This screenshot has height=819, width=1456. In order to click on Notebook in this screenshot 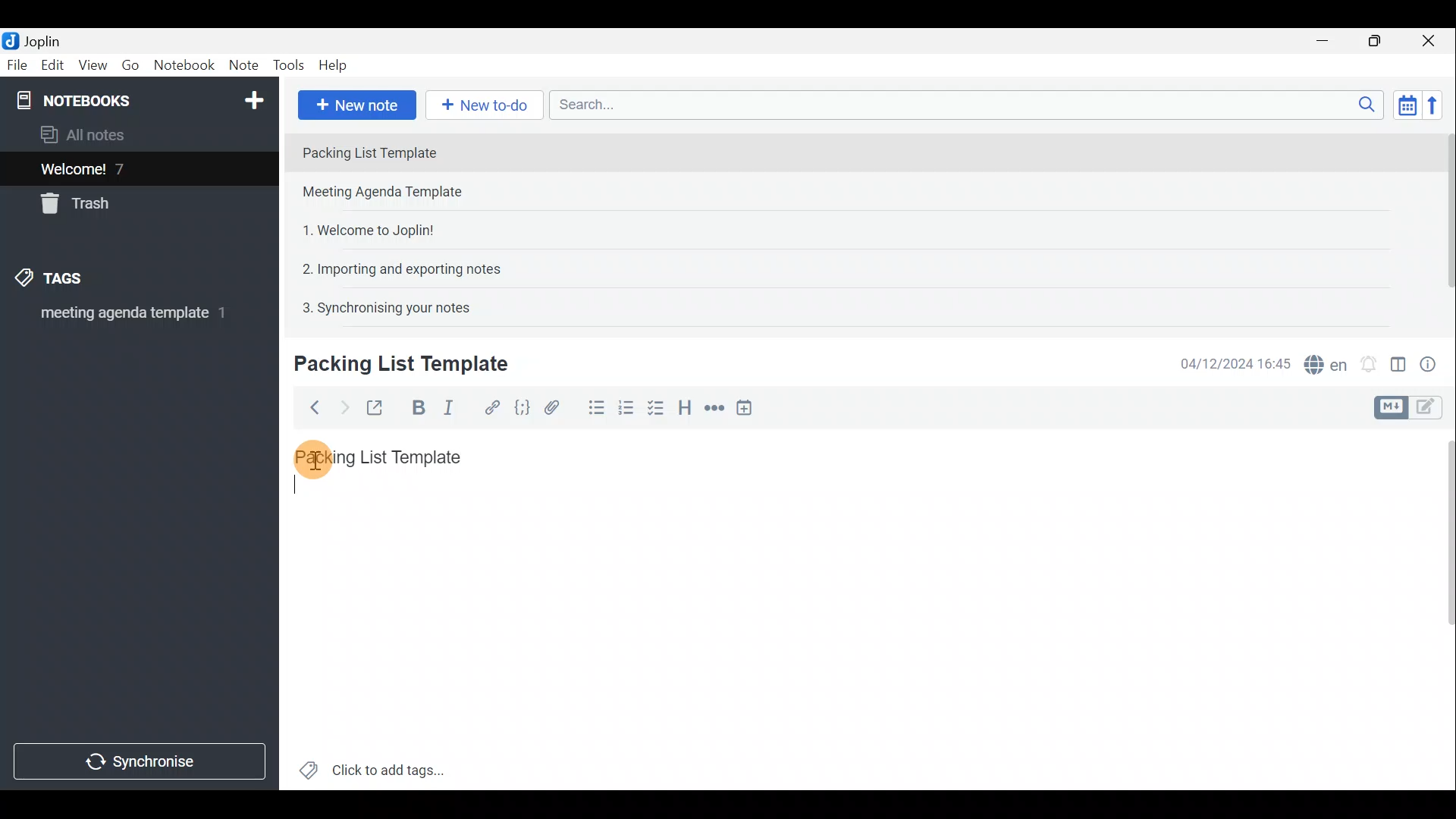, I will do `click(184, 67)`.